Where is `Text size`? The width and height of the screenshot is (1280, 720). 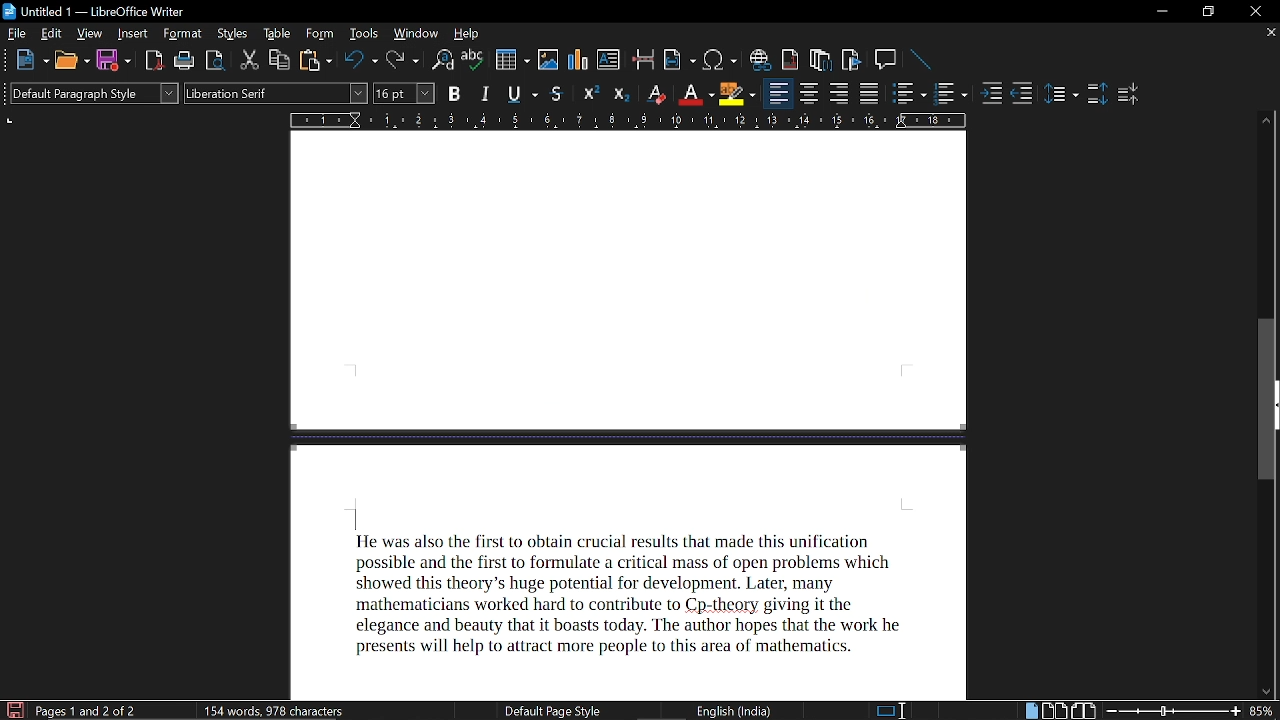
Text size is located at coordinates (403, 92).